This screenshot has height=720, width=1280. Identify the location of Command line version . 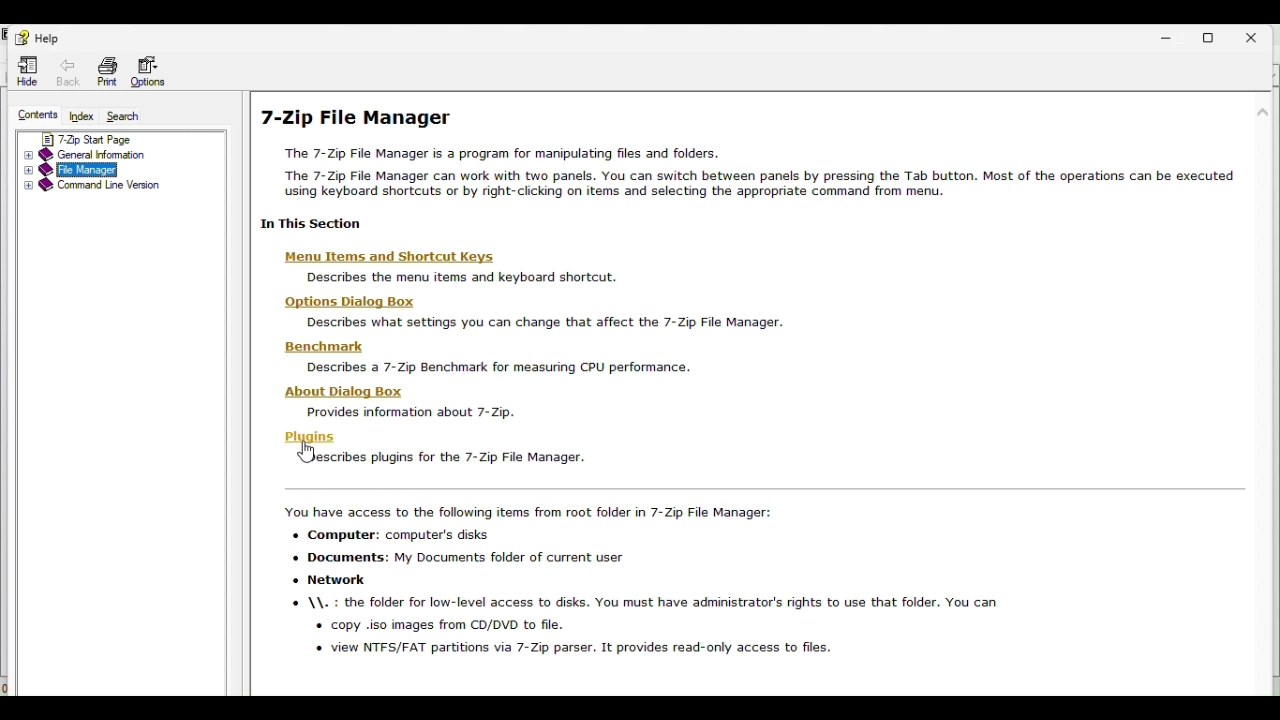
(100, 187).